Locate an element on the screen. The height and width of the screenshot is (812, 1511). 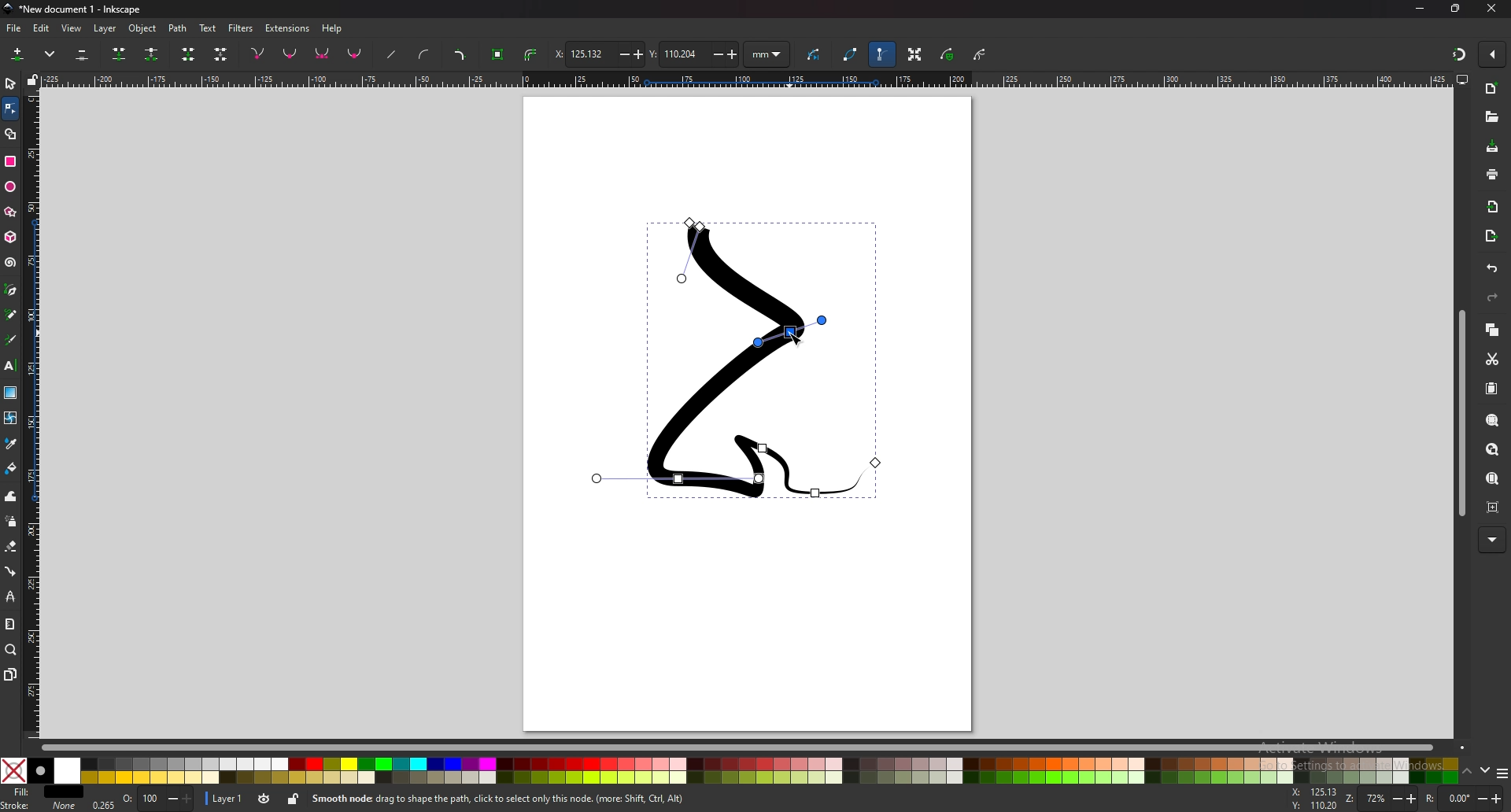
star and polygon is located at coordinates (11, 212).